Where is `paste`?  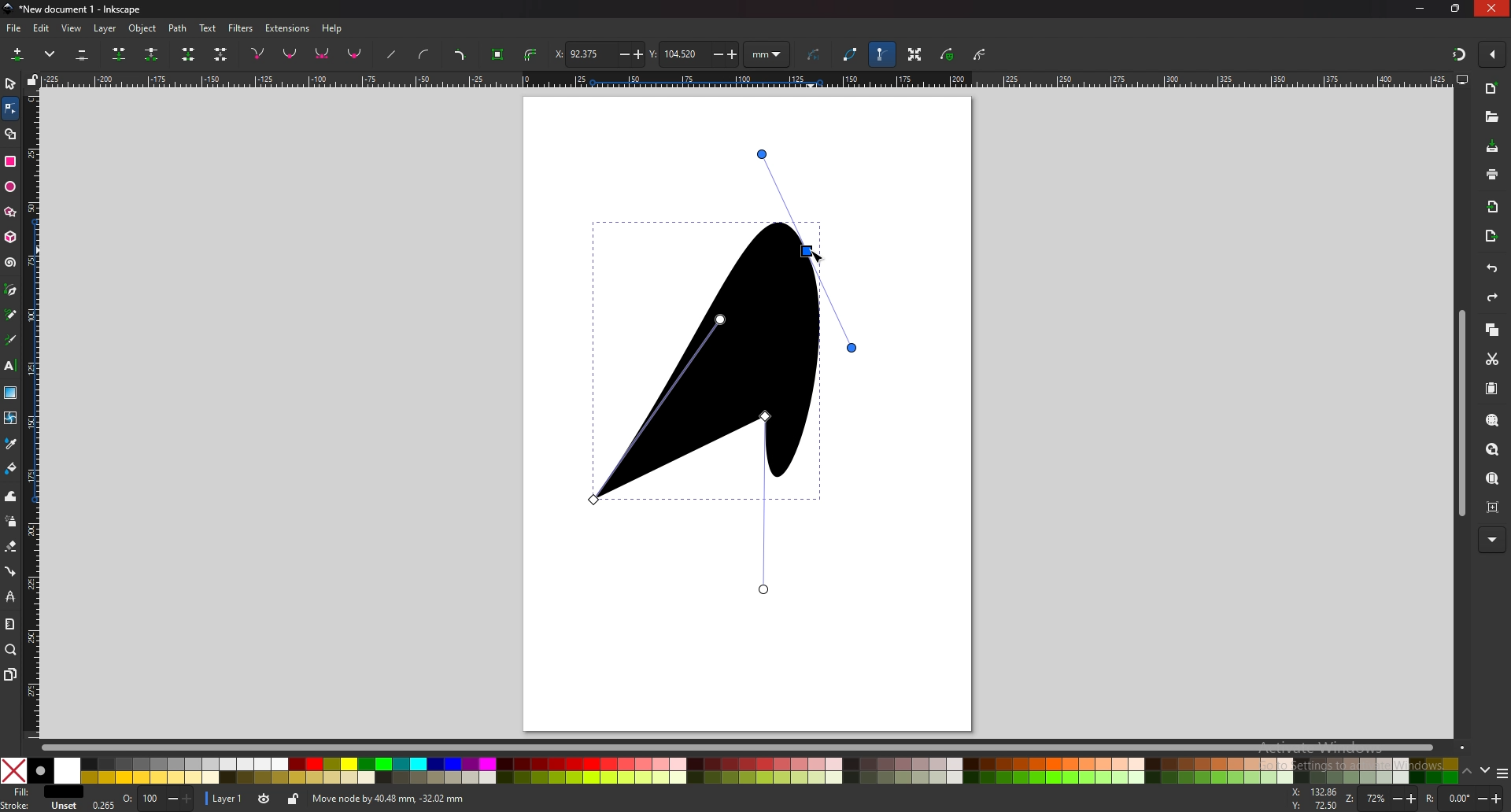 paste is located at coordinates (1492, 389).